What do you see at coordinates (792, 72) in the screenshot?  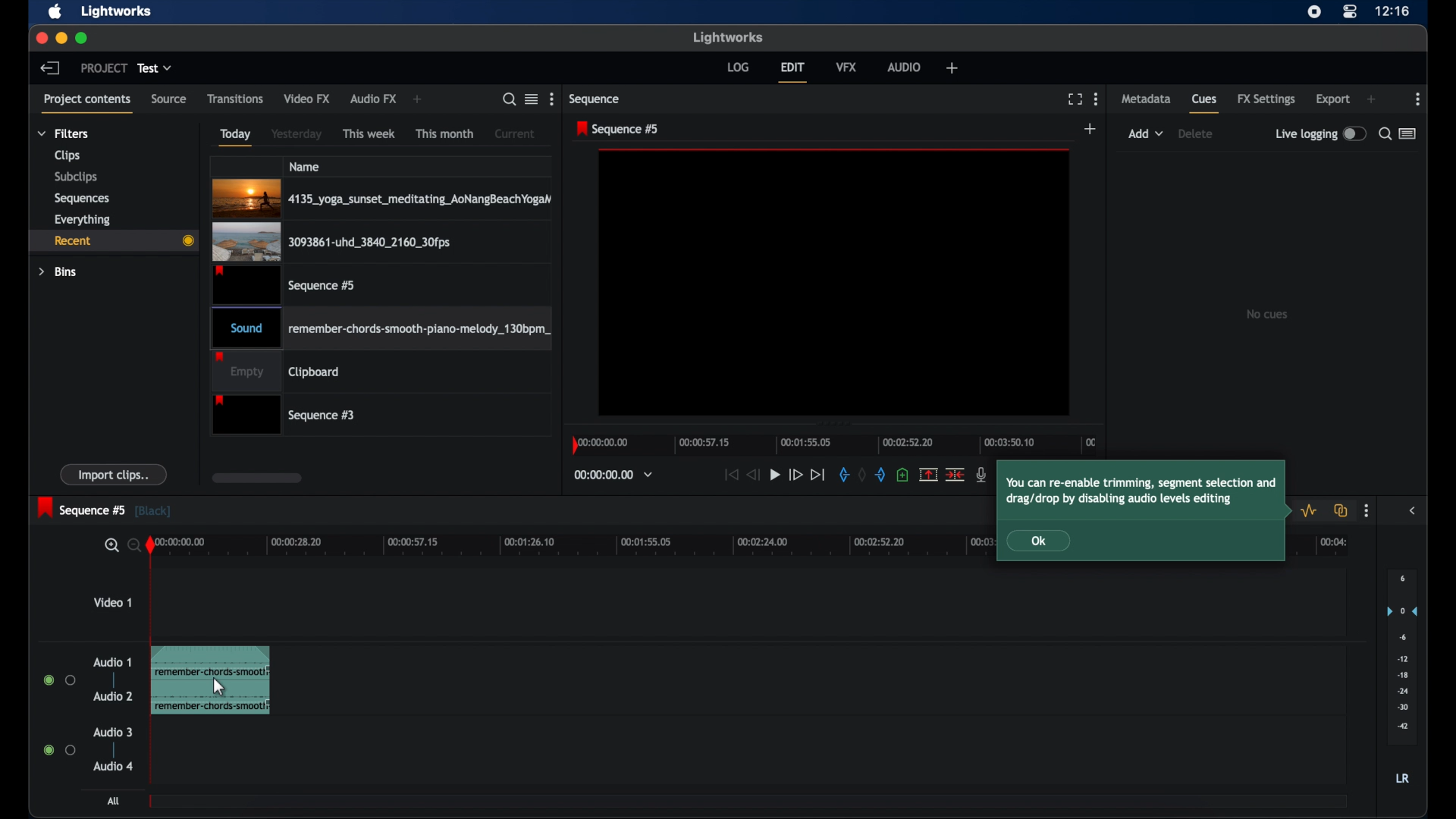 I see `edit` at bounding box center [792, 72].